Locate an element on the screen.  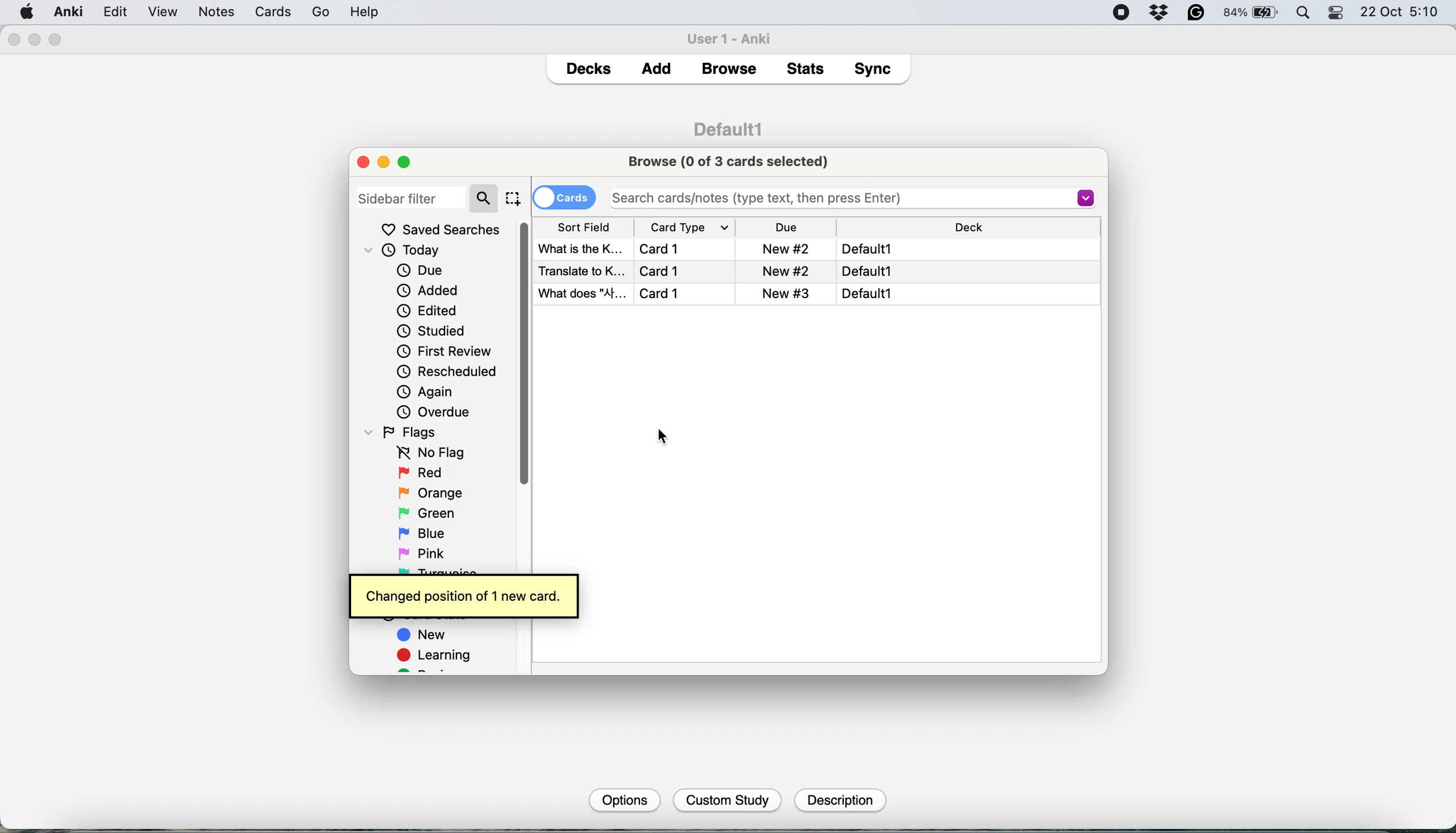
Default1 is located at coordinates (865, 249).